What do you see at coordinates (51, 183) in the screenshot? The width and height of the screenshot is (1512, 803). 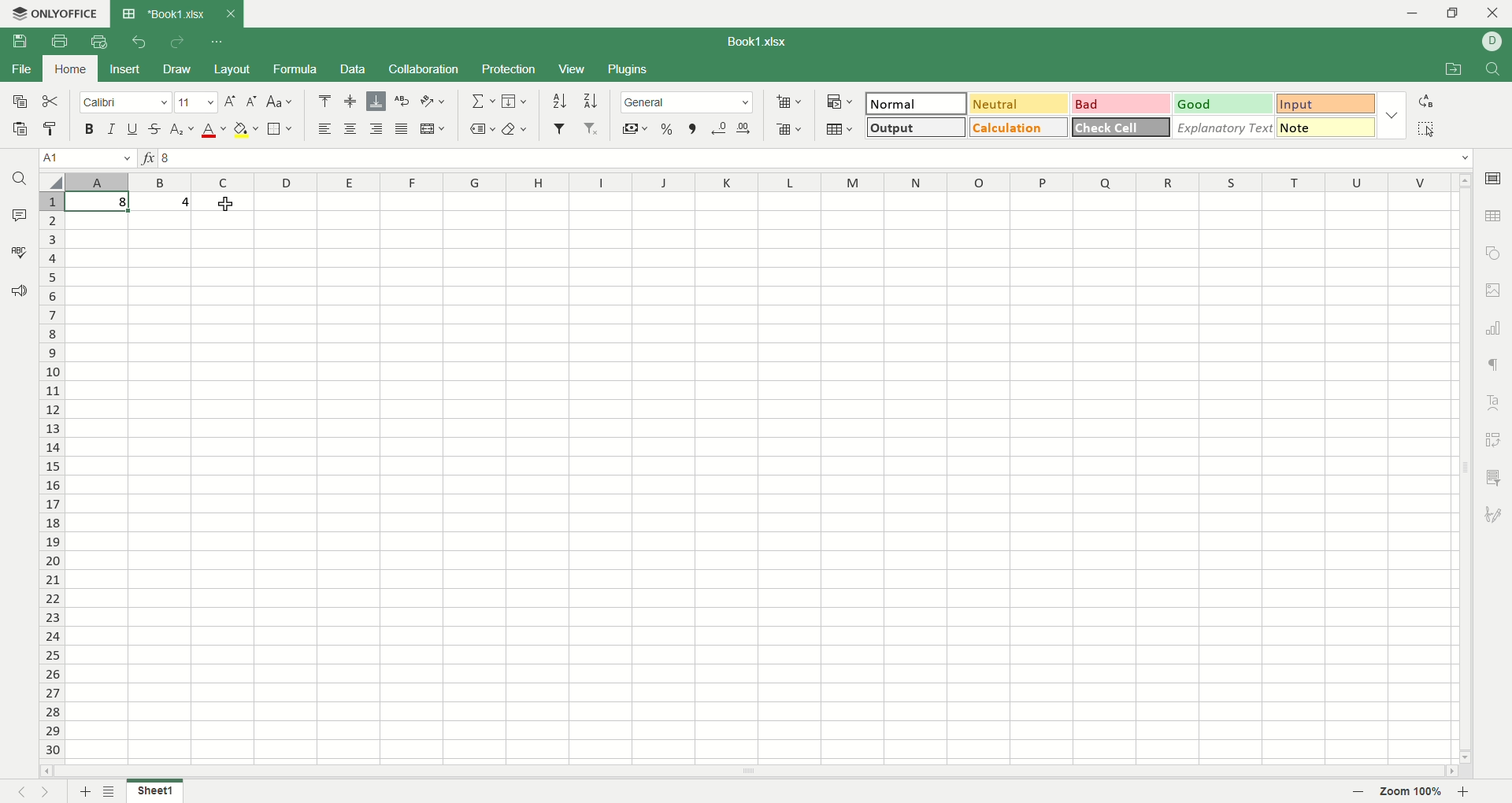 I see `select all` at bounding box center [51, 183].